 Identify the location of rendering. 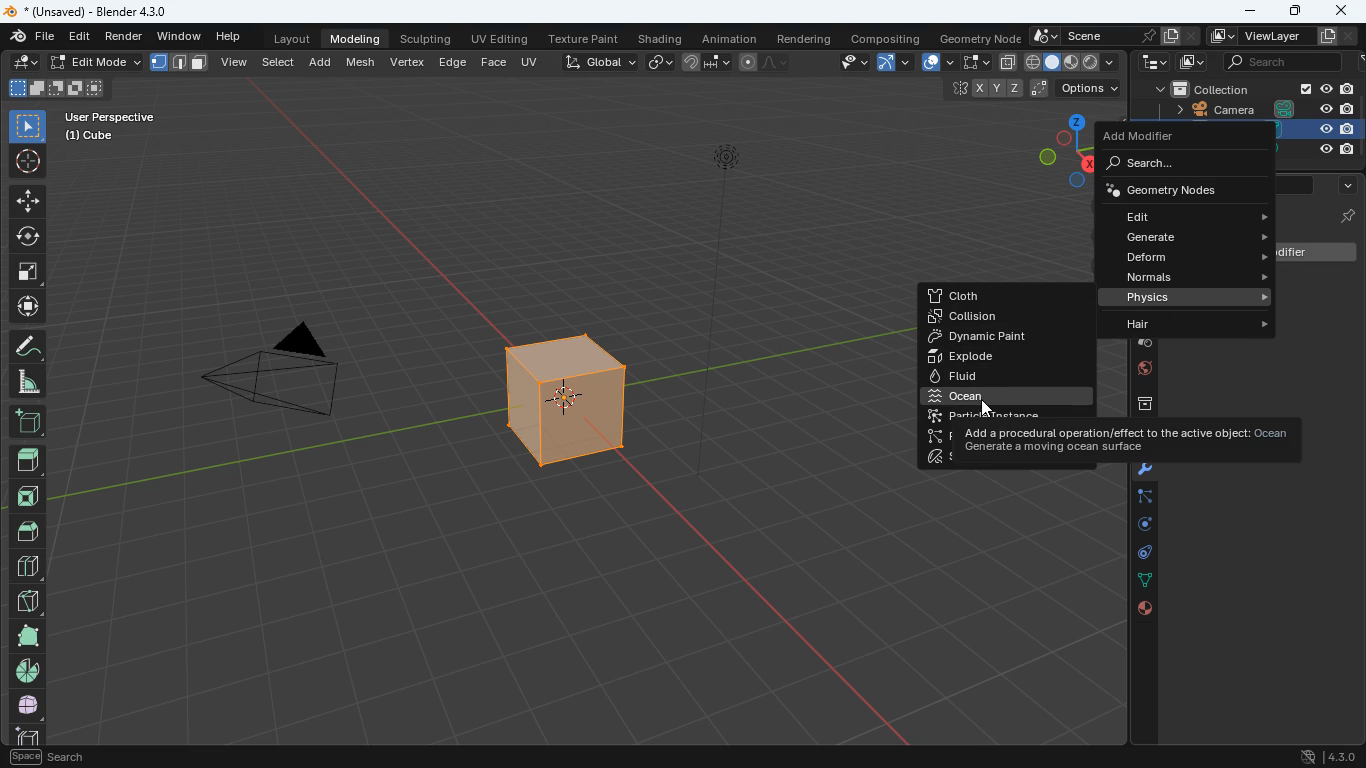
(805, 35).